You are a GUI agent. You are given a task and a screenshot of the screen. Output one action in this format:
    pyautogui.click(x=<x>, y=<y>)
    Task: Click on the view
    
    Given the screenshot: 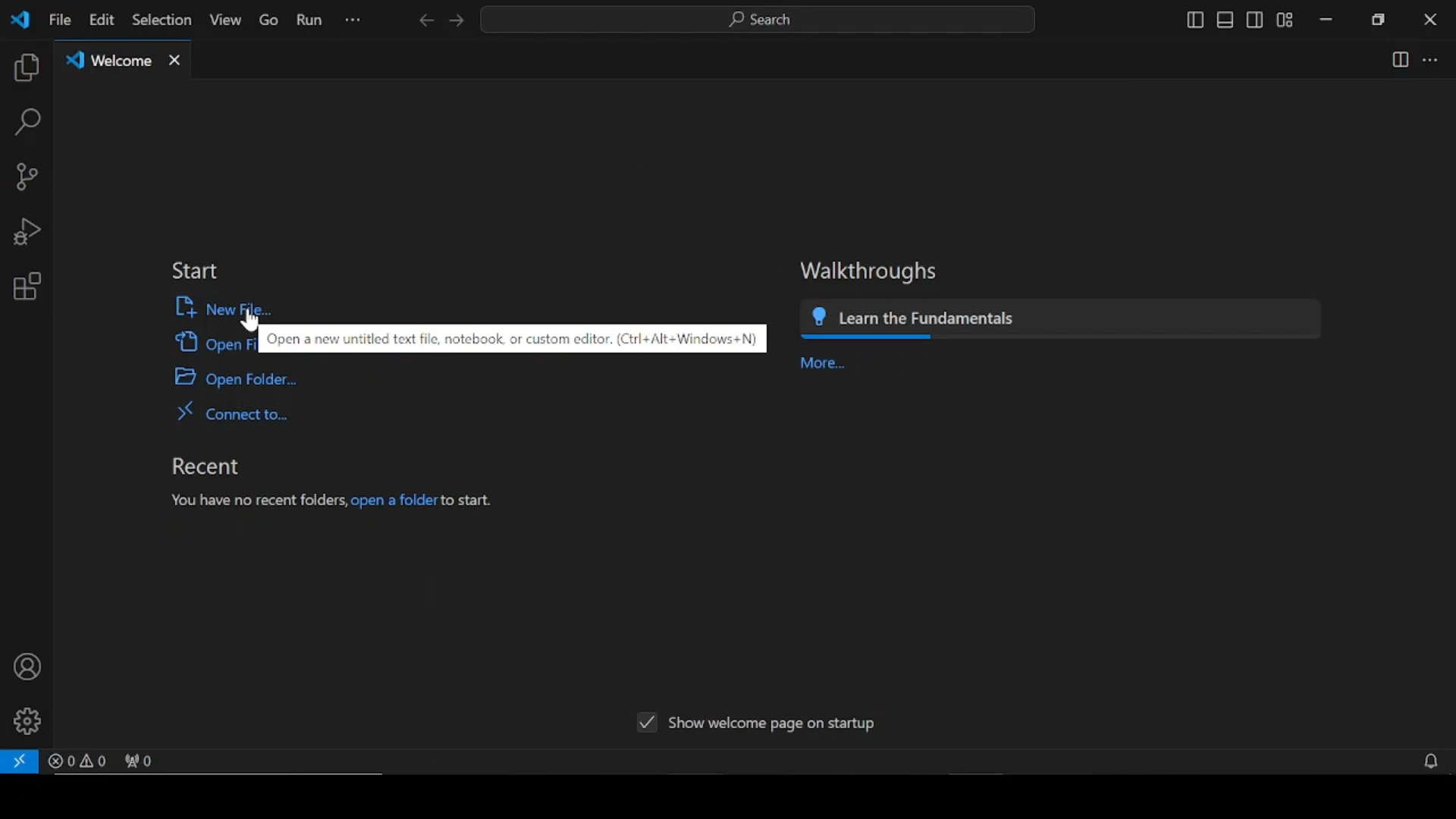 What is the action you would take?
    pyautogui.click(x=224, y=20)
    